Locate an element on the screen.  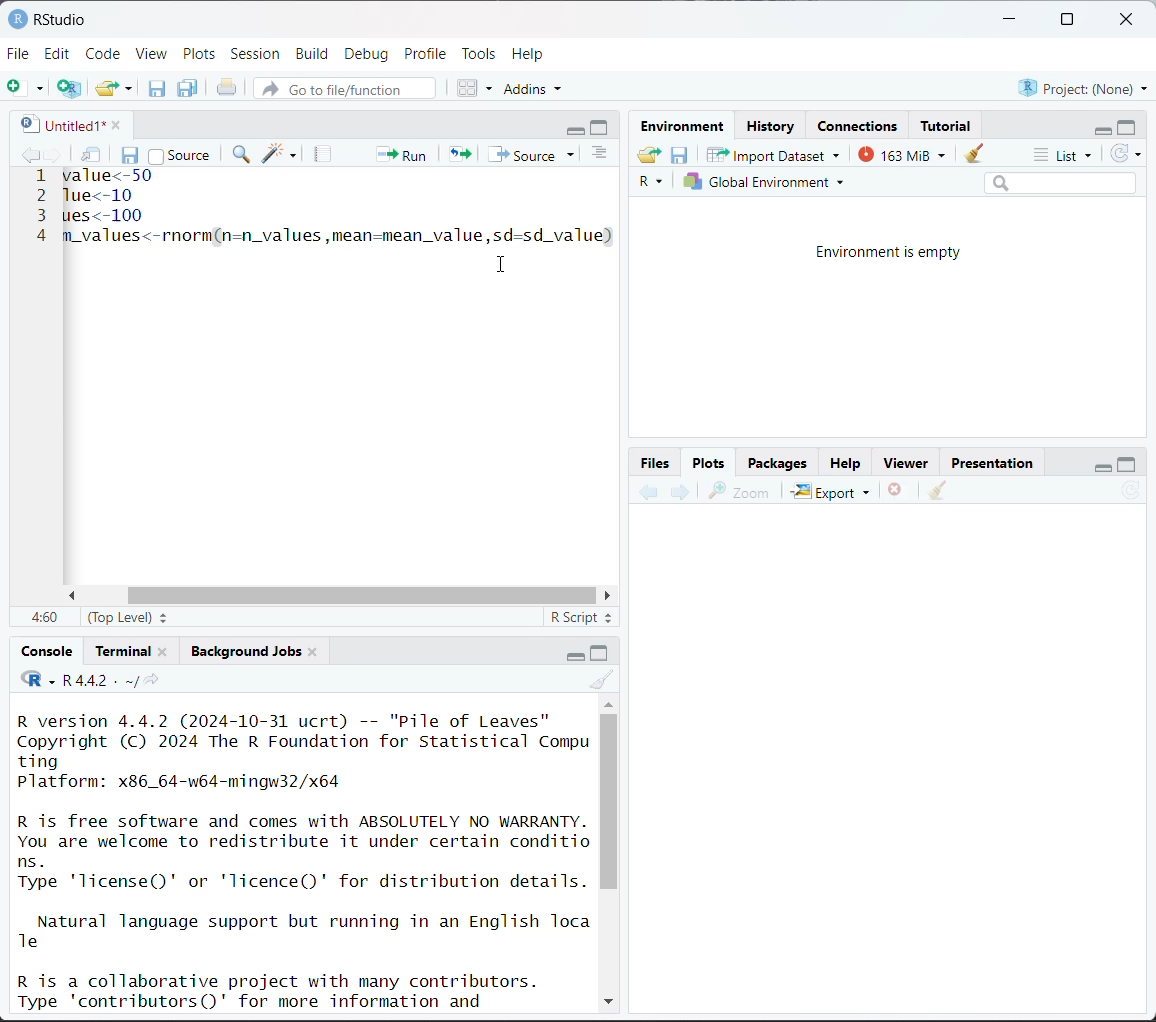
next plot is located at coordinates (678, 492).